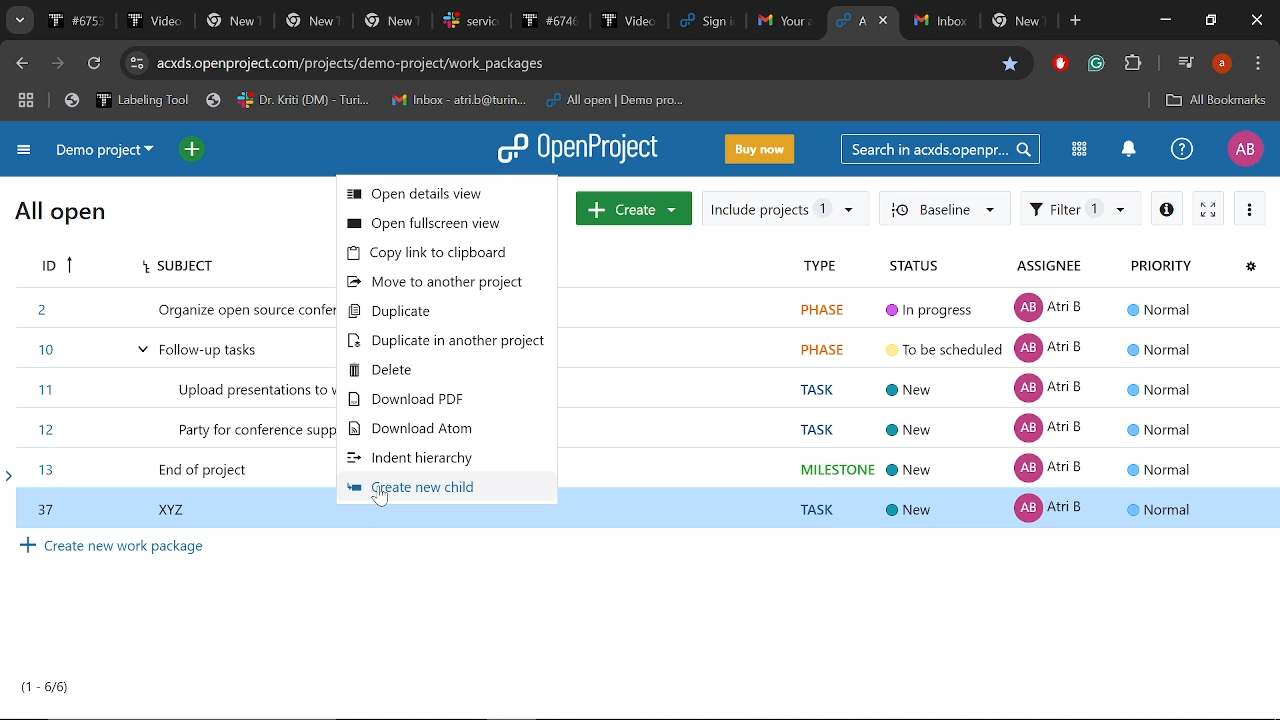  I want to click on Minimize, so click(1168, 20).